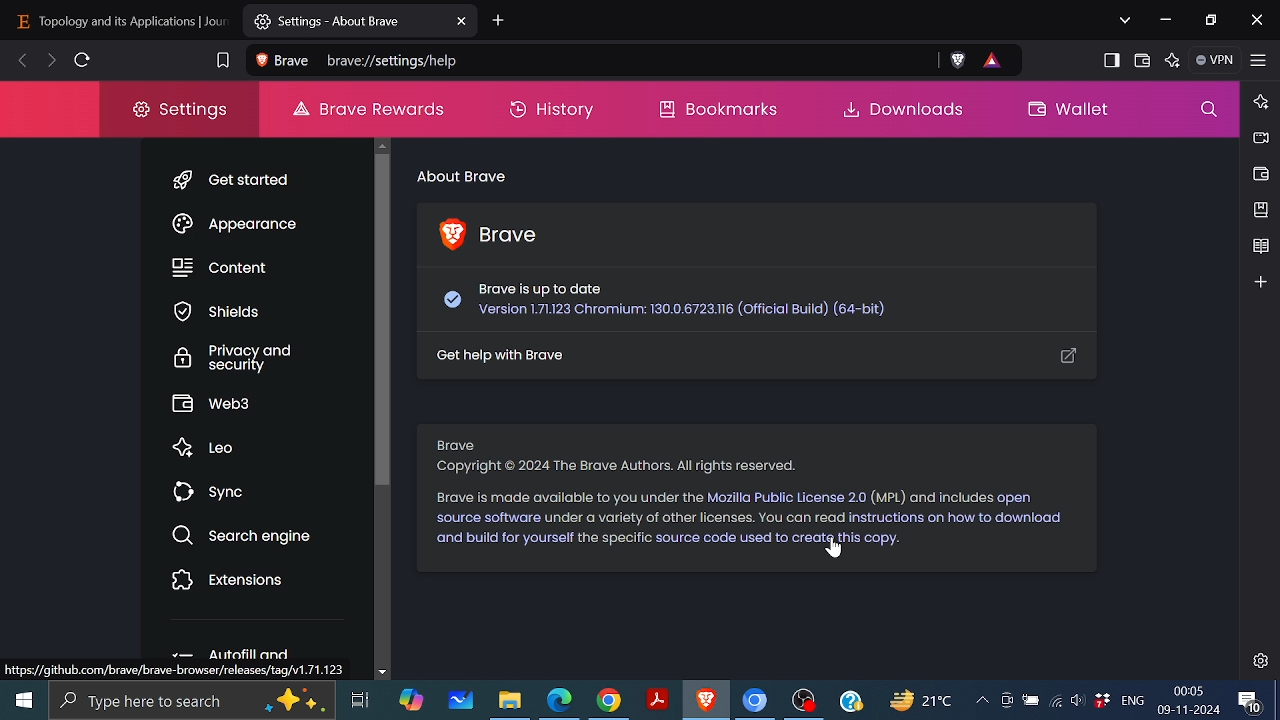 The height and width of the screenshot is (720, 1280). I want to click on brave logo, so click(445, 232).